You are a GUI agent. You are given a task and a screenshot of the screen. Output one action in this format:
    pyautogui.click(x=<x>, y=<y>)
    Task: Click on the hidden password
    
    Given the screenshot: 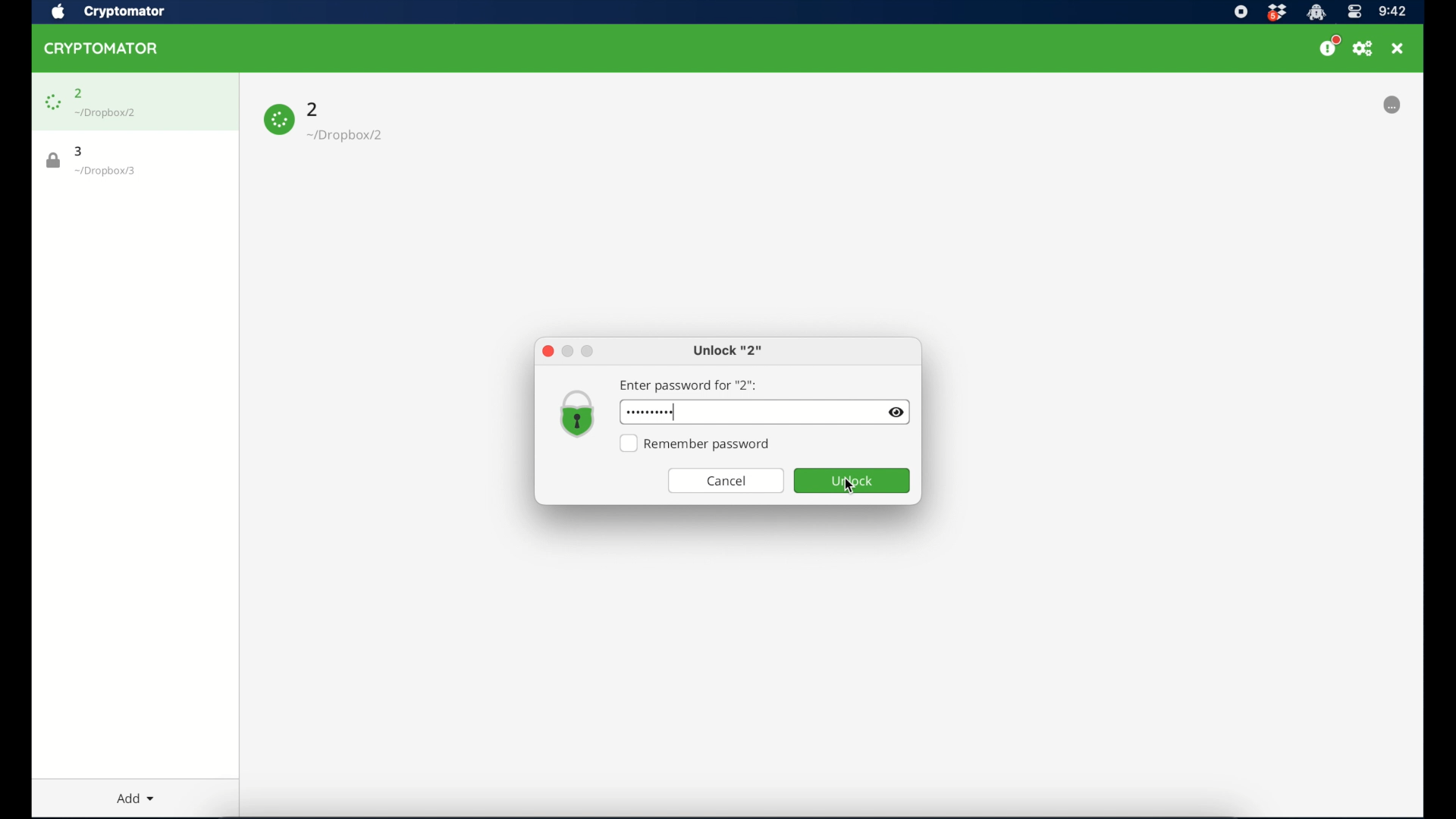 What is the action you would take?
    pyautogui.click(x=651, y=412)
    